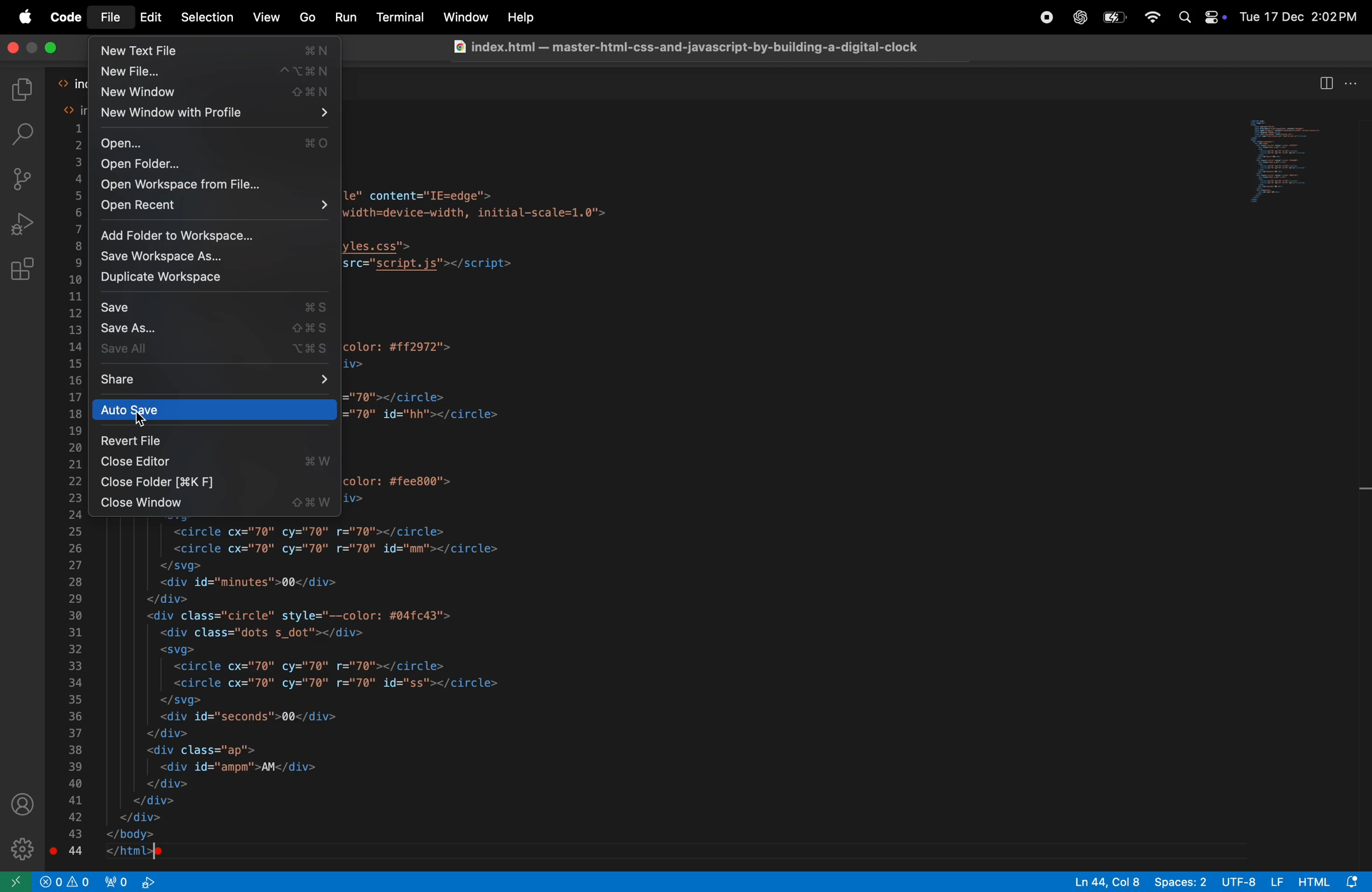 The image size is (1372, 892). What do you see at coordinates (22, 273) in the screenshot?
I see `extensions` at bounding box center [22, 273].